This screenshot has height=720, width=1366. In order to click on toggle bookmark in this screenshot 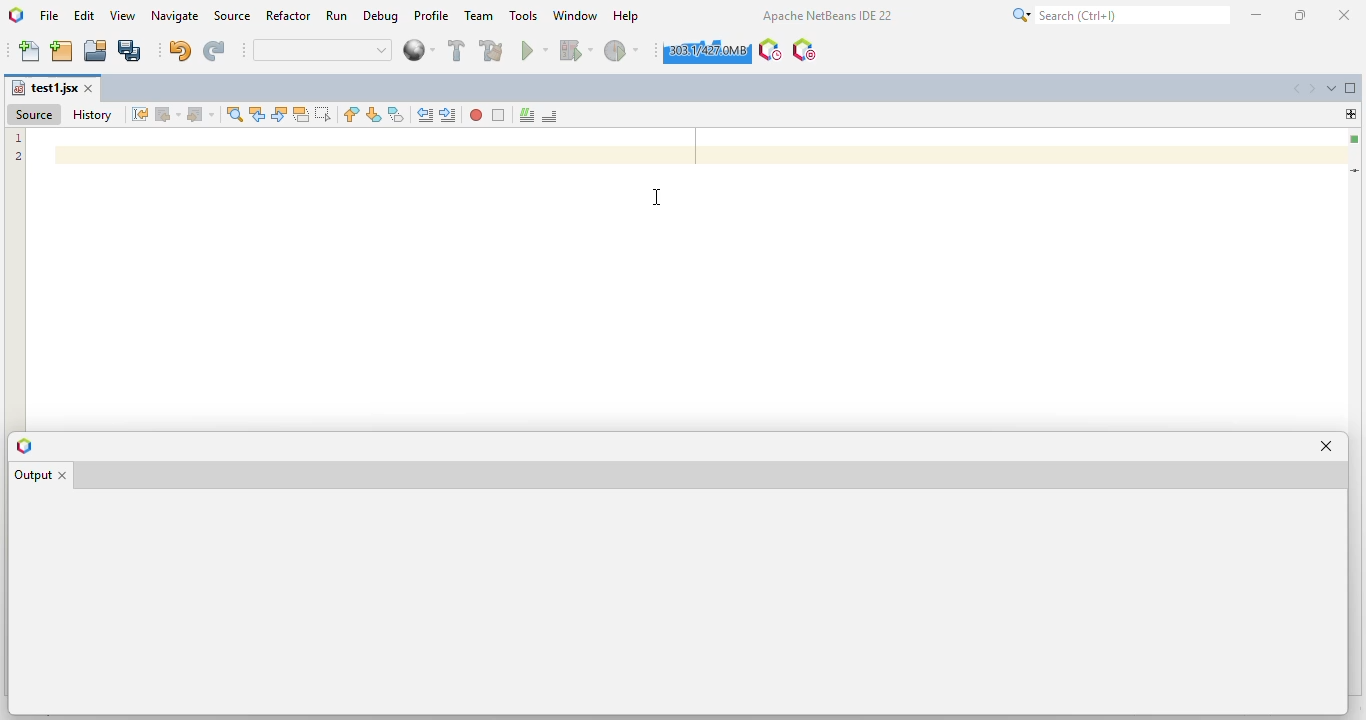, I will do `click(396, 114)`.